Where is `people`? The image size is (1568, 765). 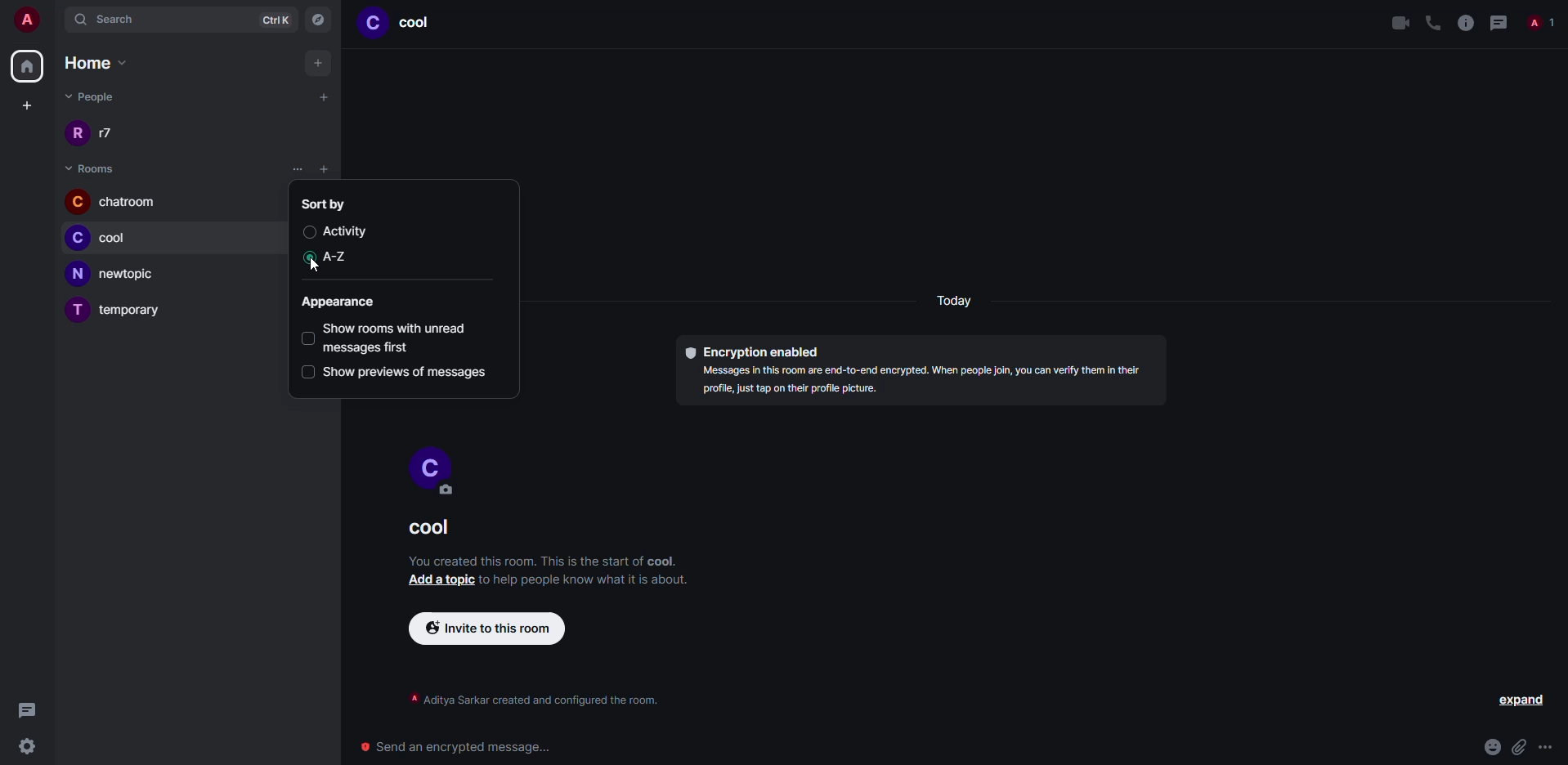
people is located at coordinates (1541, 20).